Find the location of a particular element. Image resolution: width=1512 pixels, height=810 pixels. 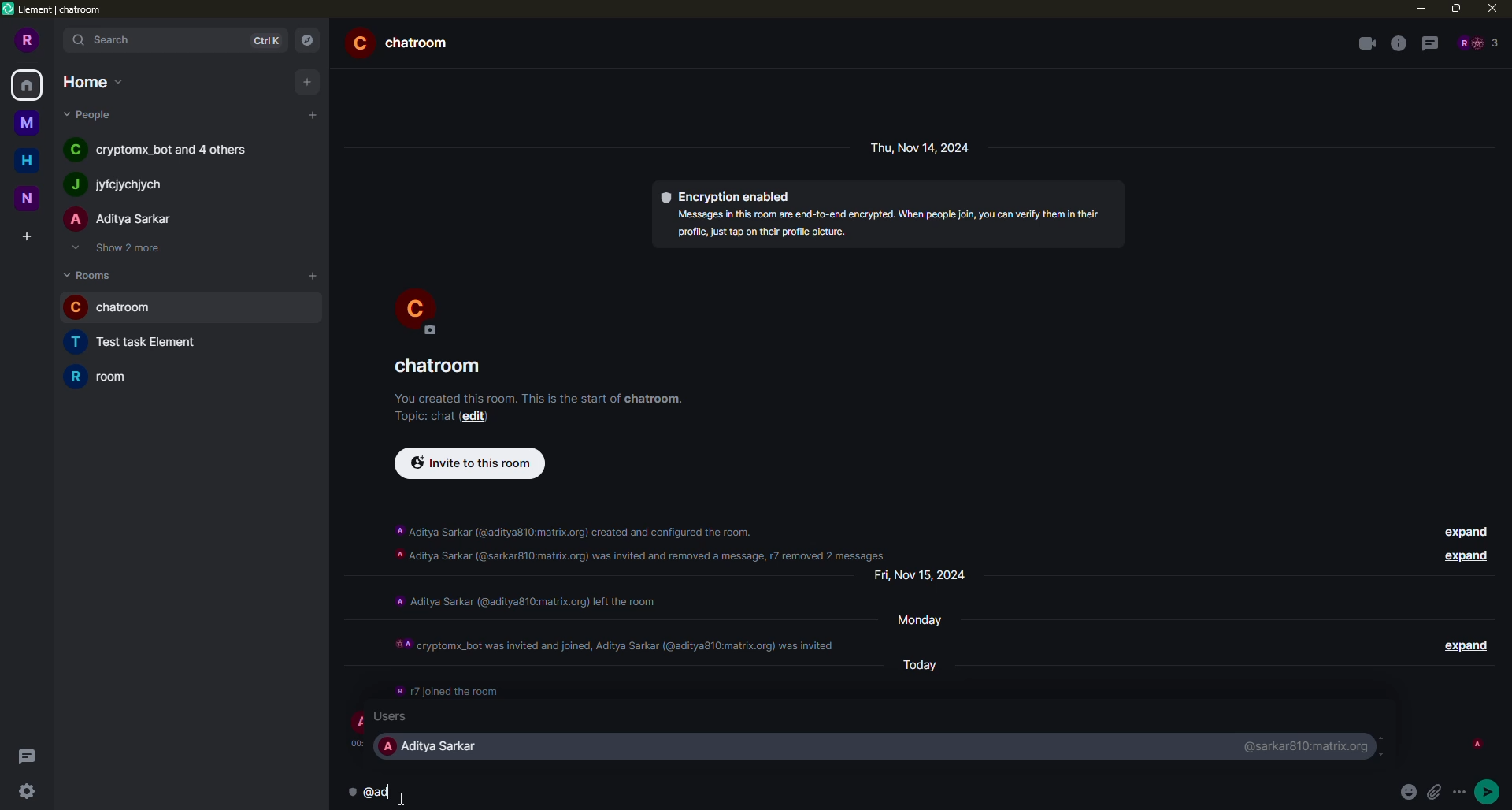

add is located at coordinates (312, 273).